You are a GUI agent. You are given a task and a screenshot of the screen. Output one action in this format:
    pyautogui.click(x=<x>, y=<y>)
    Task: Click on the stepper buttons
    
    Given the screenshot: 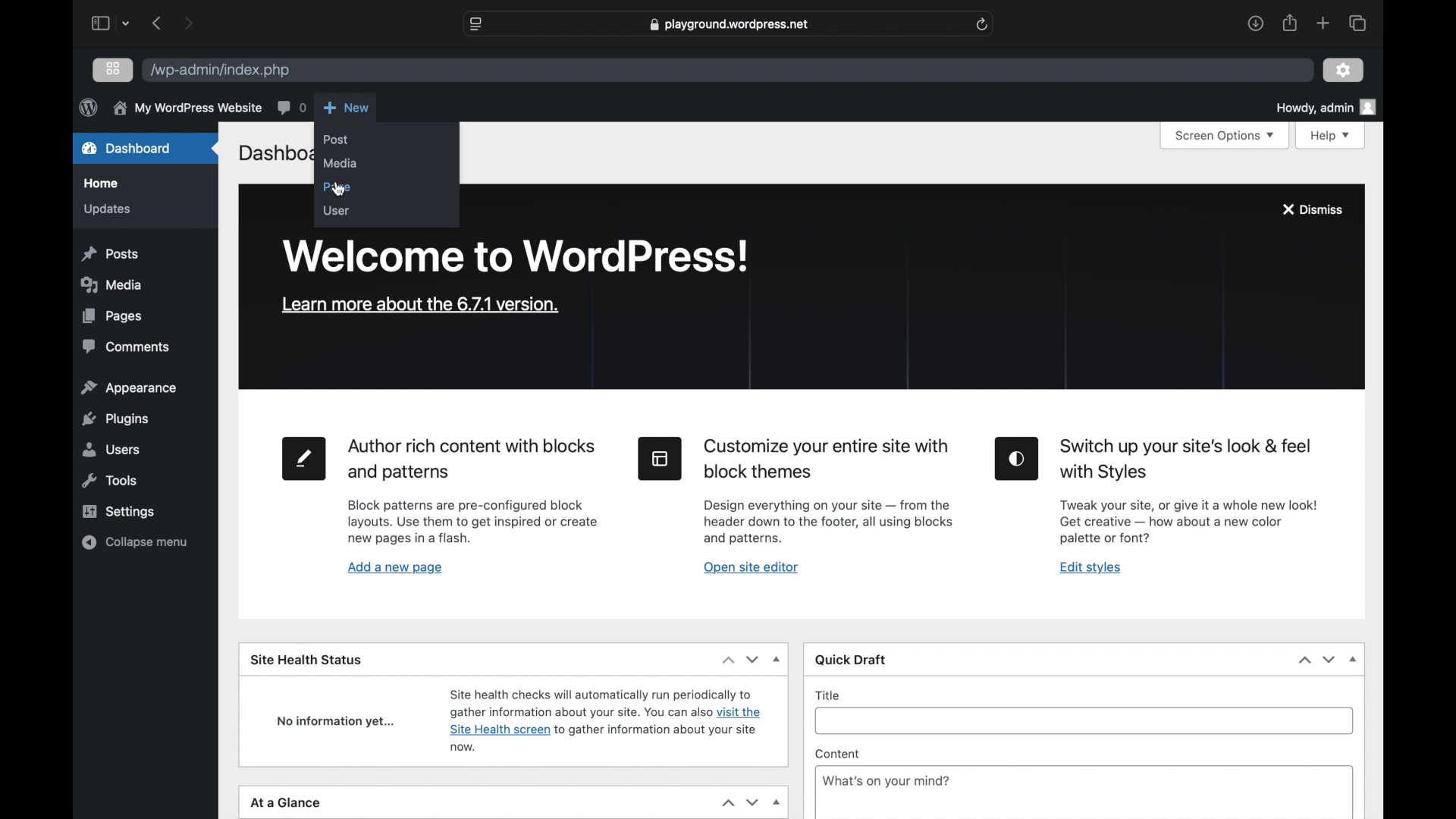 What is the action you would take?
    pyautogui.click(x=741, y=659)
    